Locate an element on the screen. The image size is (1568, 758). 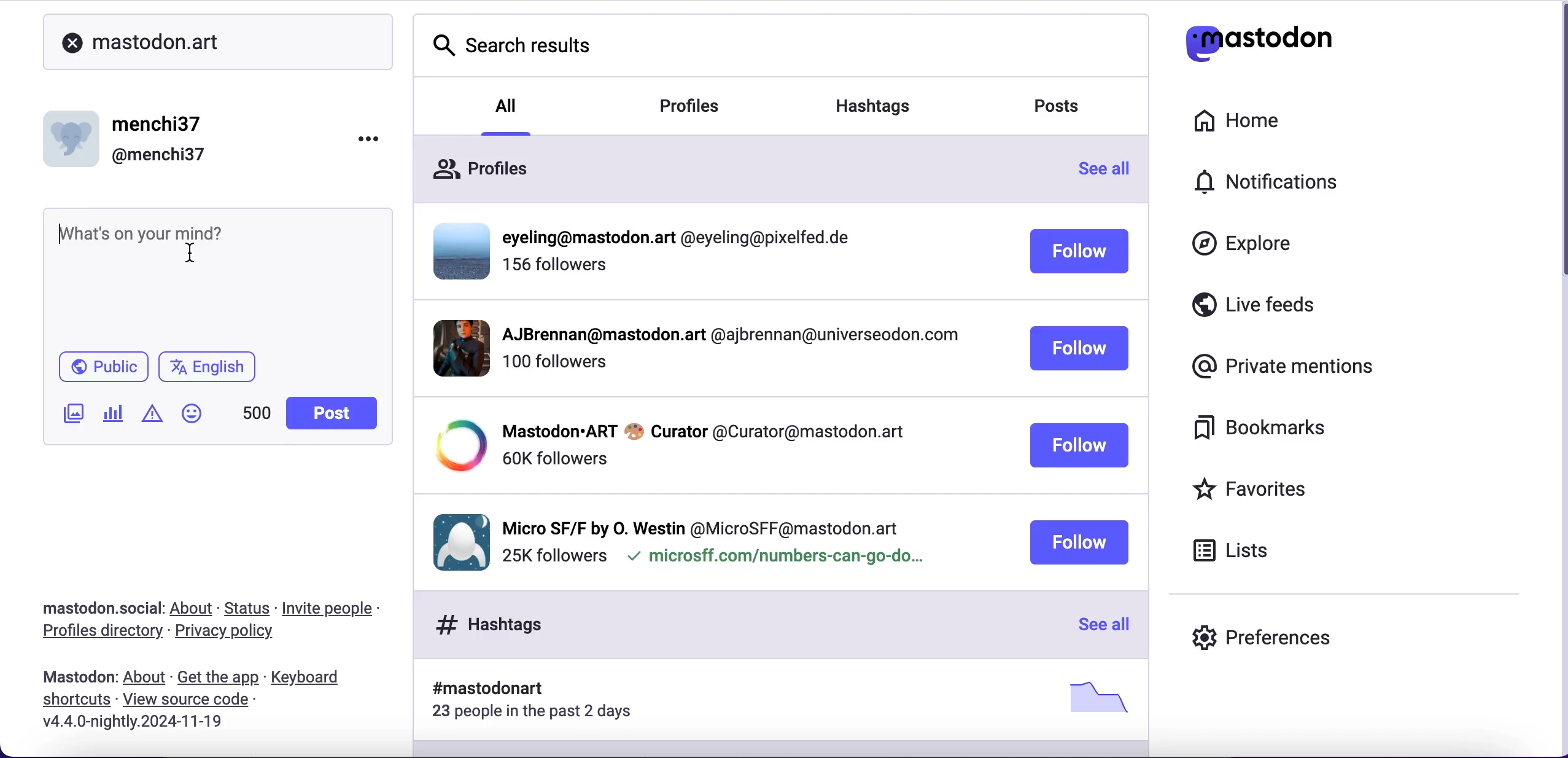
view source code is located at coordinates (190, 701).